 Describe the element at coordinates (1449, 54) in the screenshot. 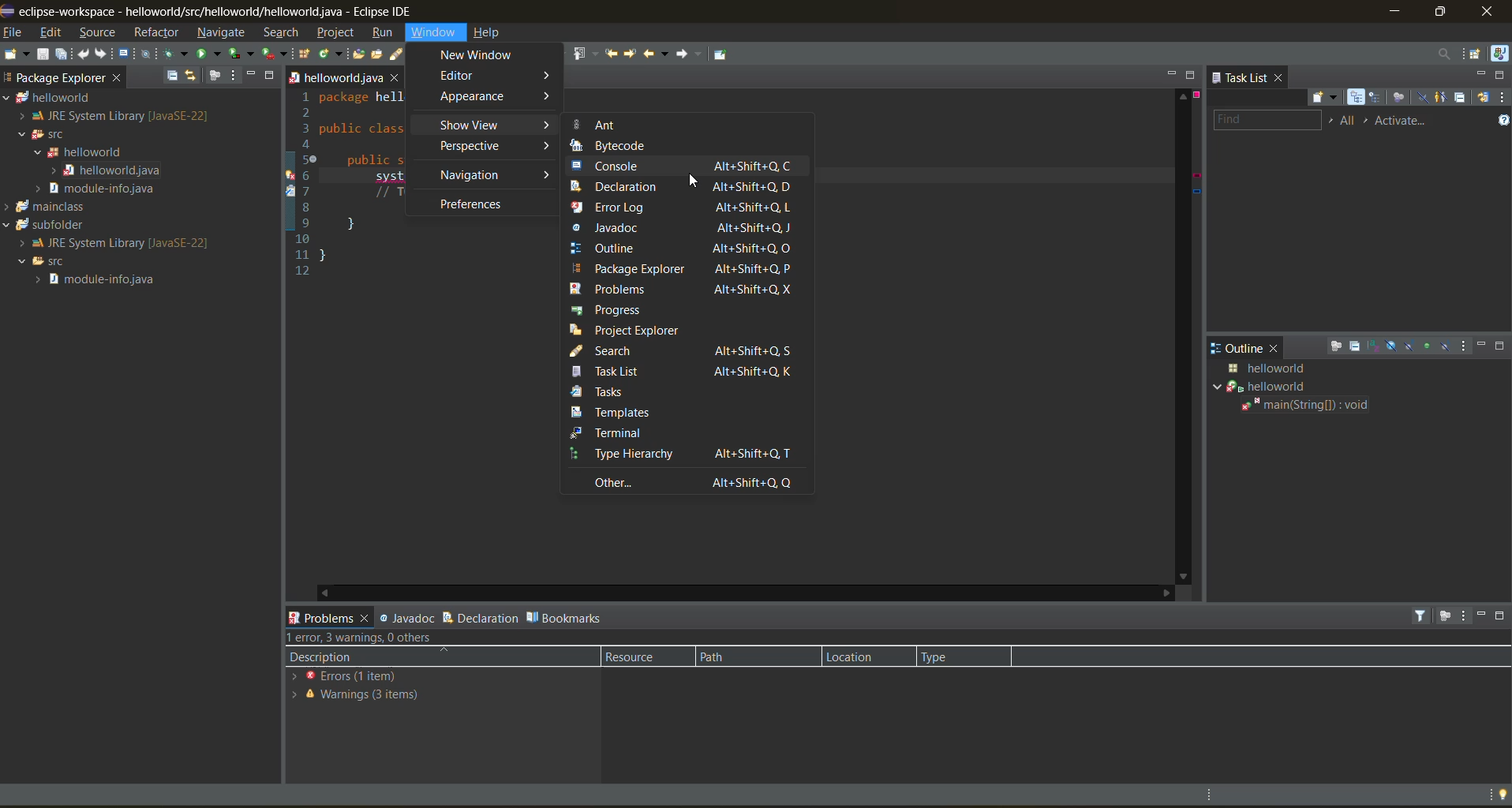

I see `access commands and other items` at that location.